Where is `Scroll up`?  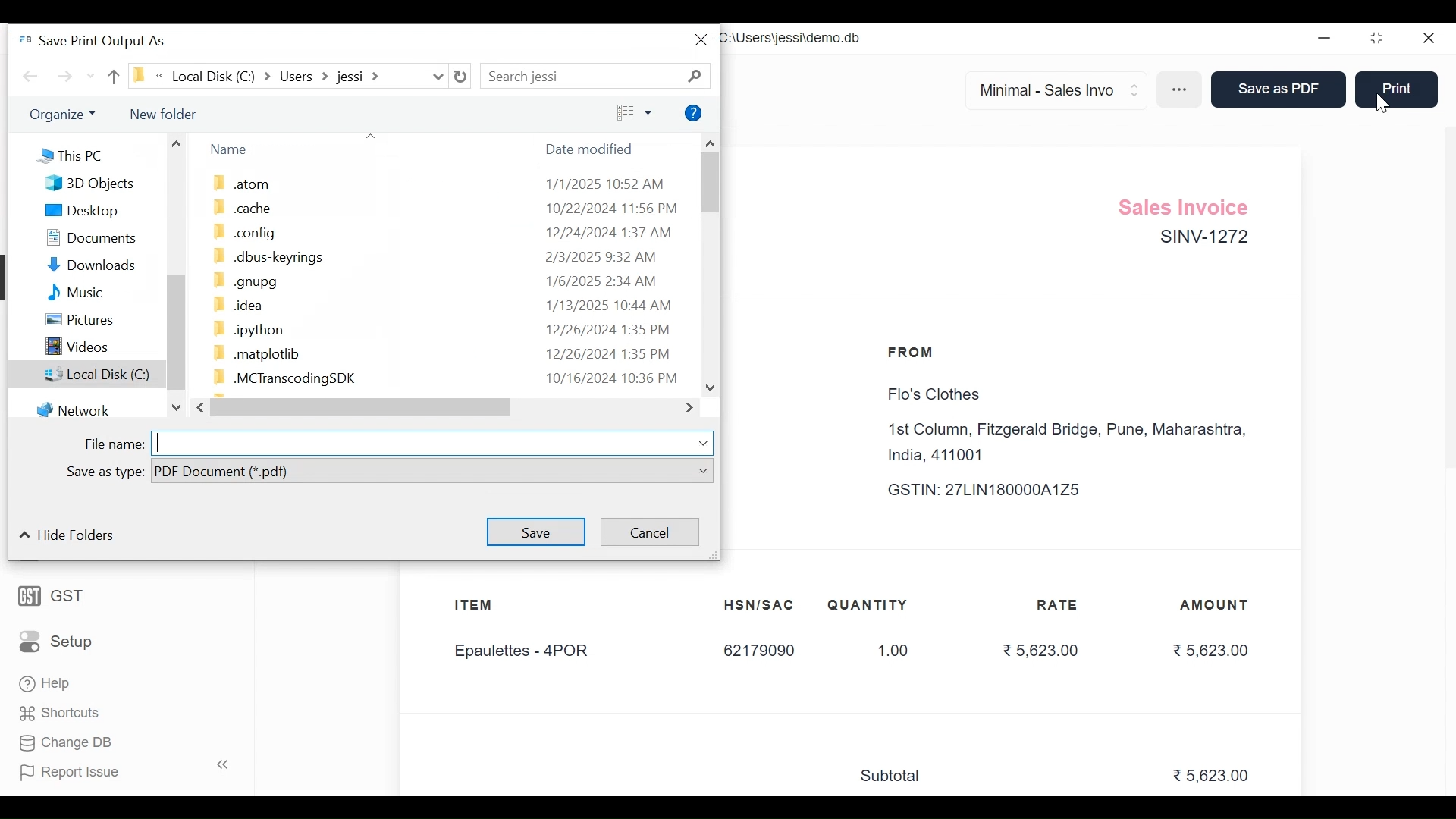
Scroll up is located at coordinates (175, 142).